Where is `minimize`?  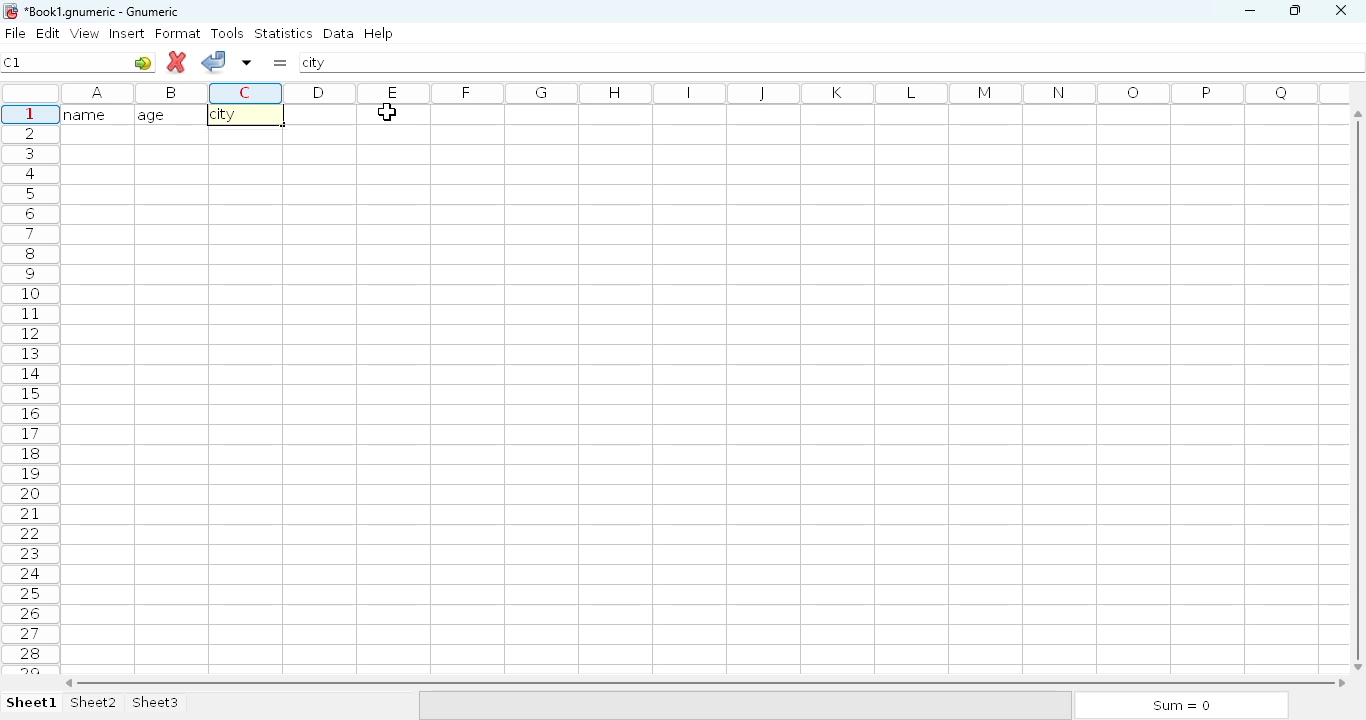 minimize is located at coordinates (1249, 11).